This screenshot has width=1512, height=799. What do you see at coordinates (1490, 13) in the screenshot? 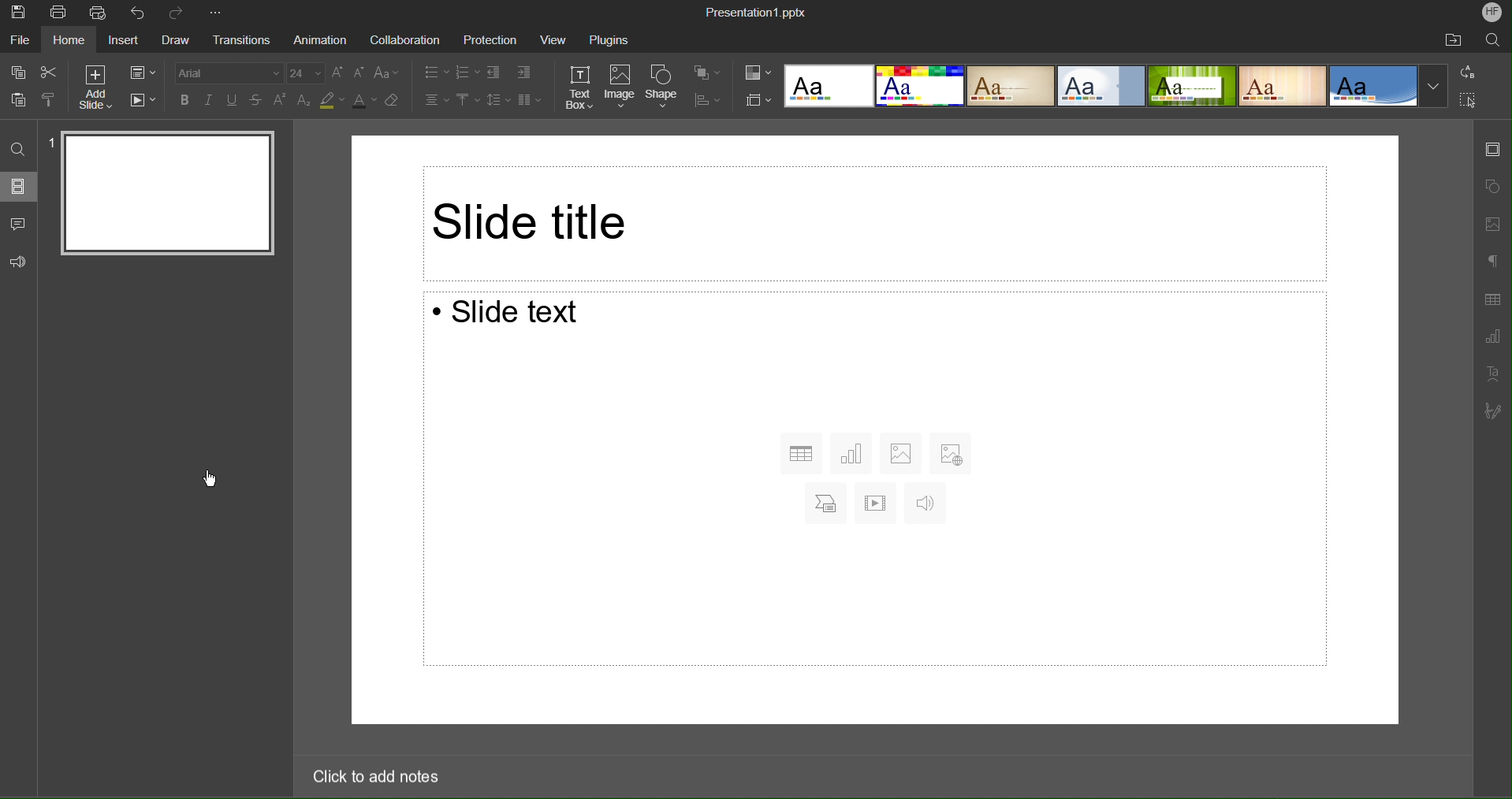
I see `Account` at bounding box center [1490, 13].